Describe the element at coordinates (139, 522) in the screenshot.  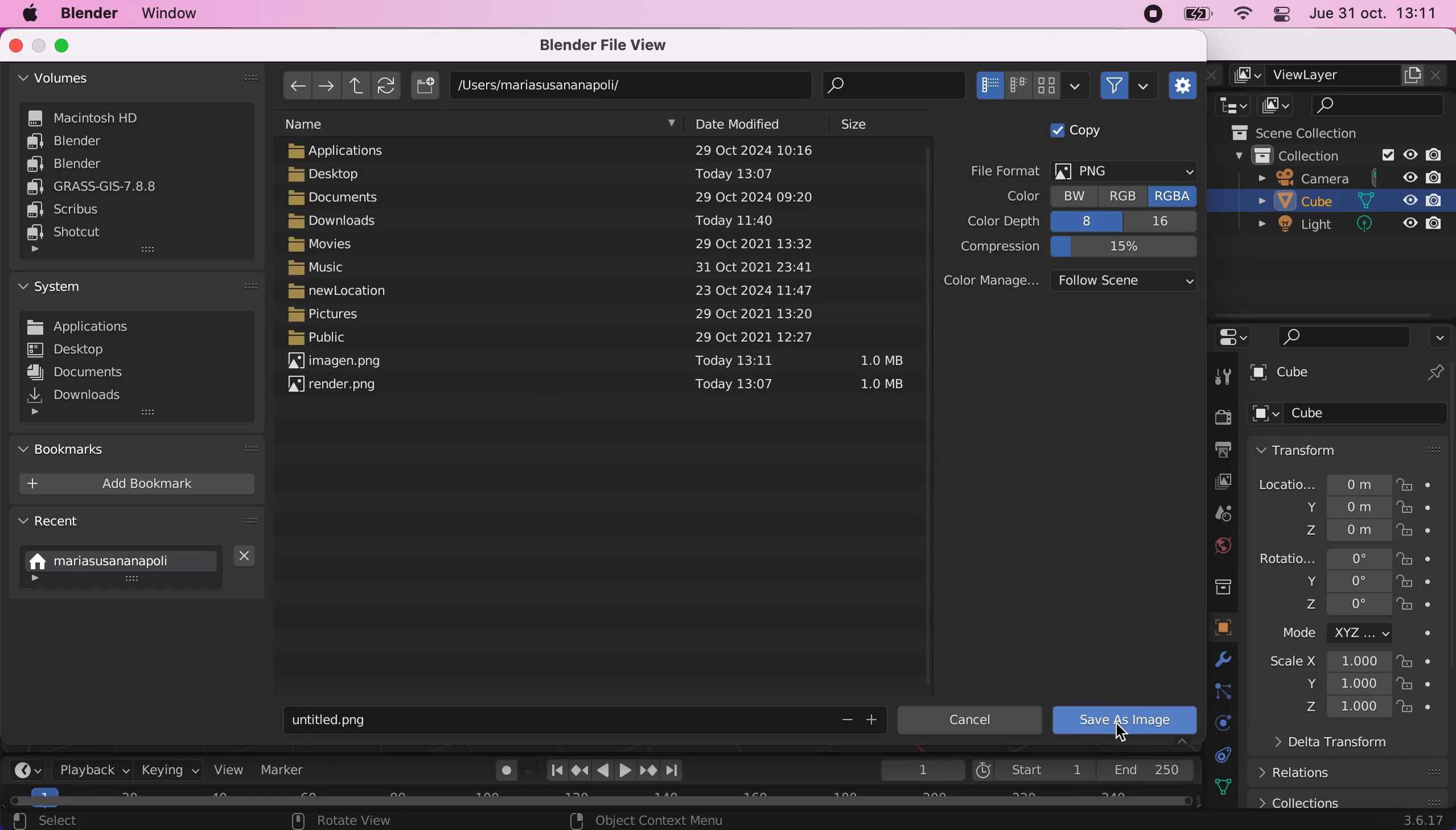
I see `recent` at that location.